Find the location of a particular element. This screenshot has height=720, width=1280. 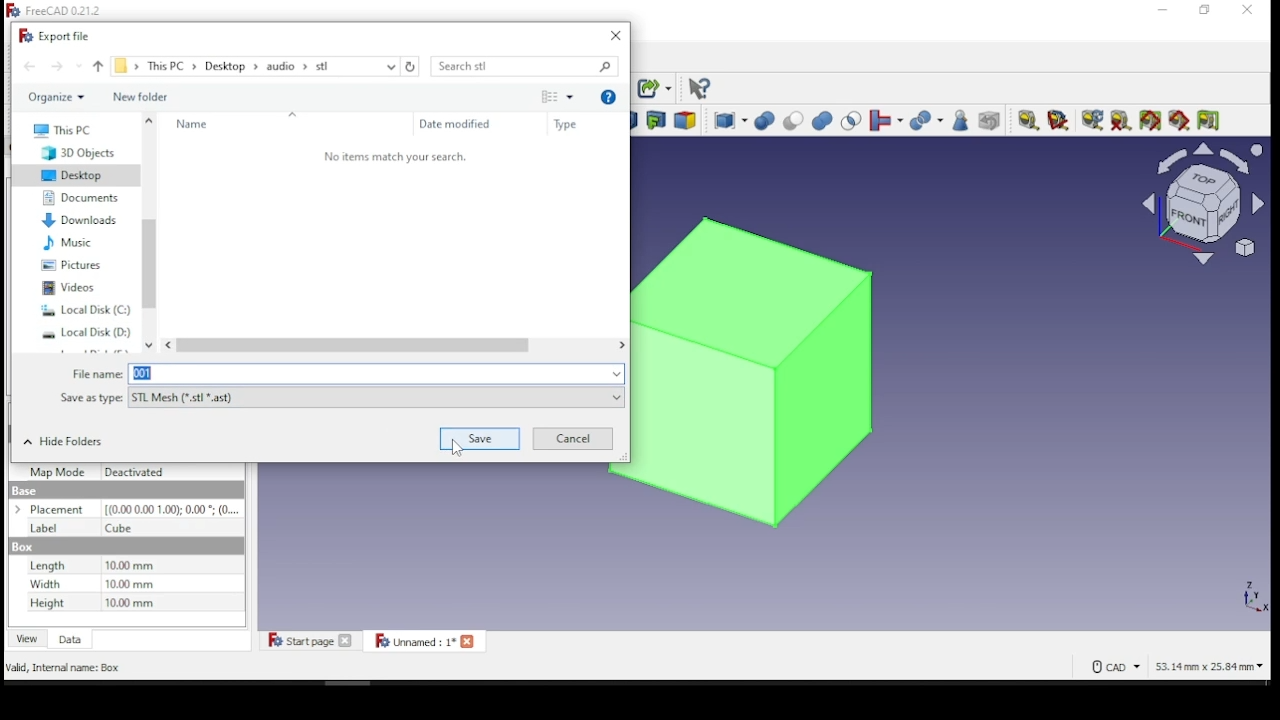

scroll bar is located at coordinates (394, 345).